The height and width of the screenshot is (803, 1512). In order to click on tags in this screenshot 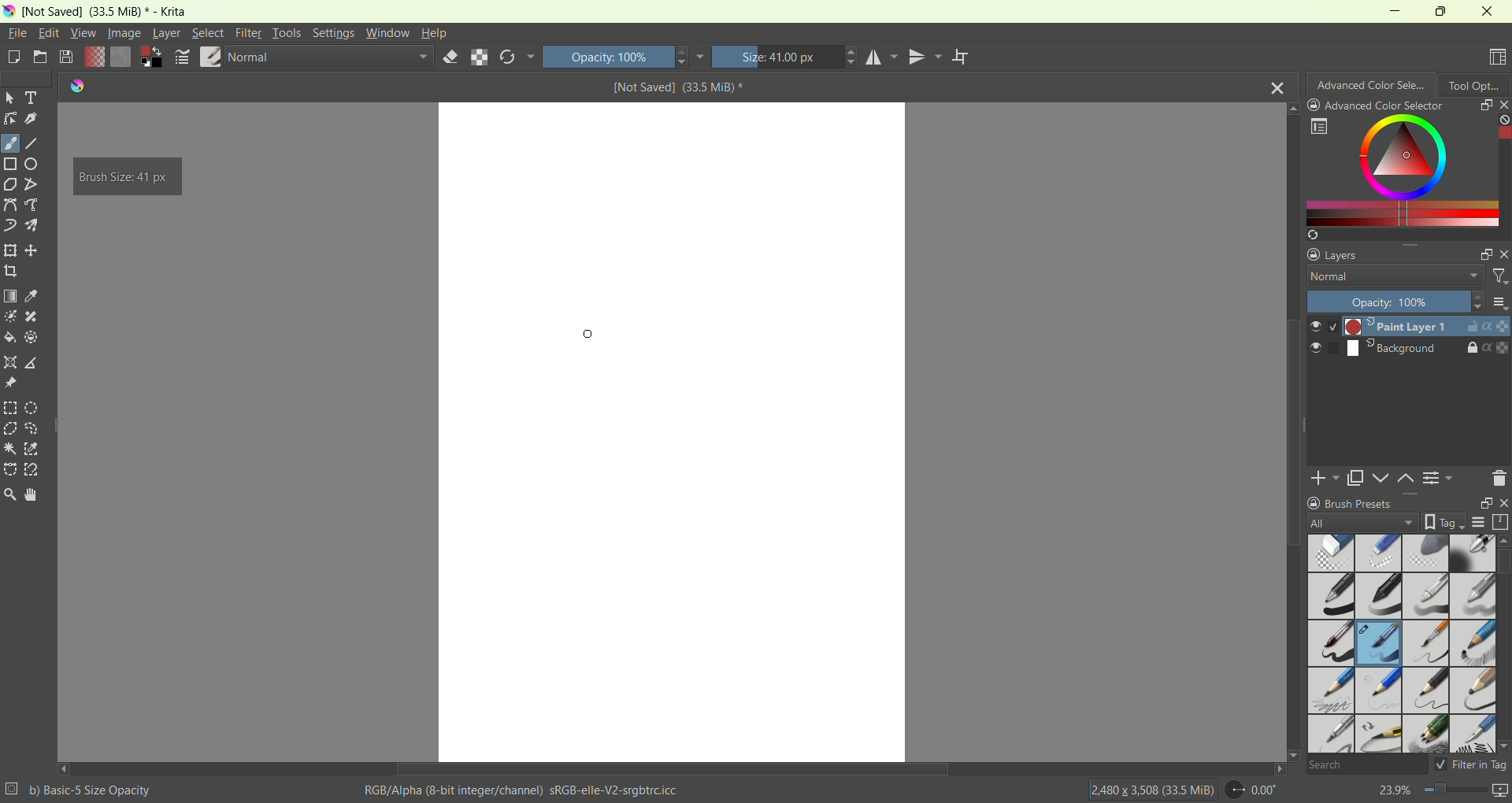, I will do `click(1440, 522)`.